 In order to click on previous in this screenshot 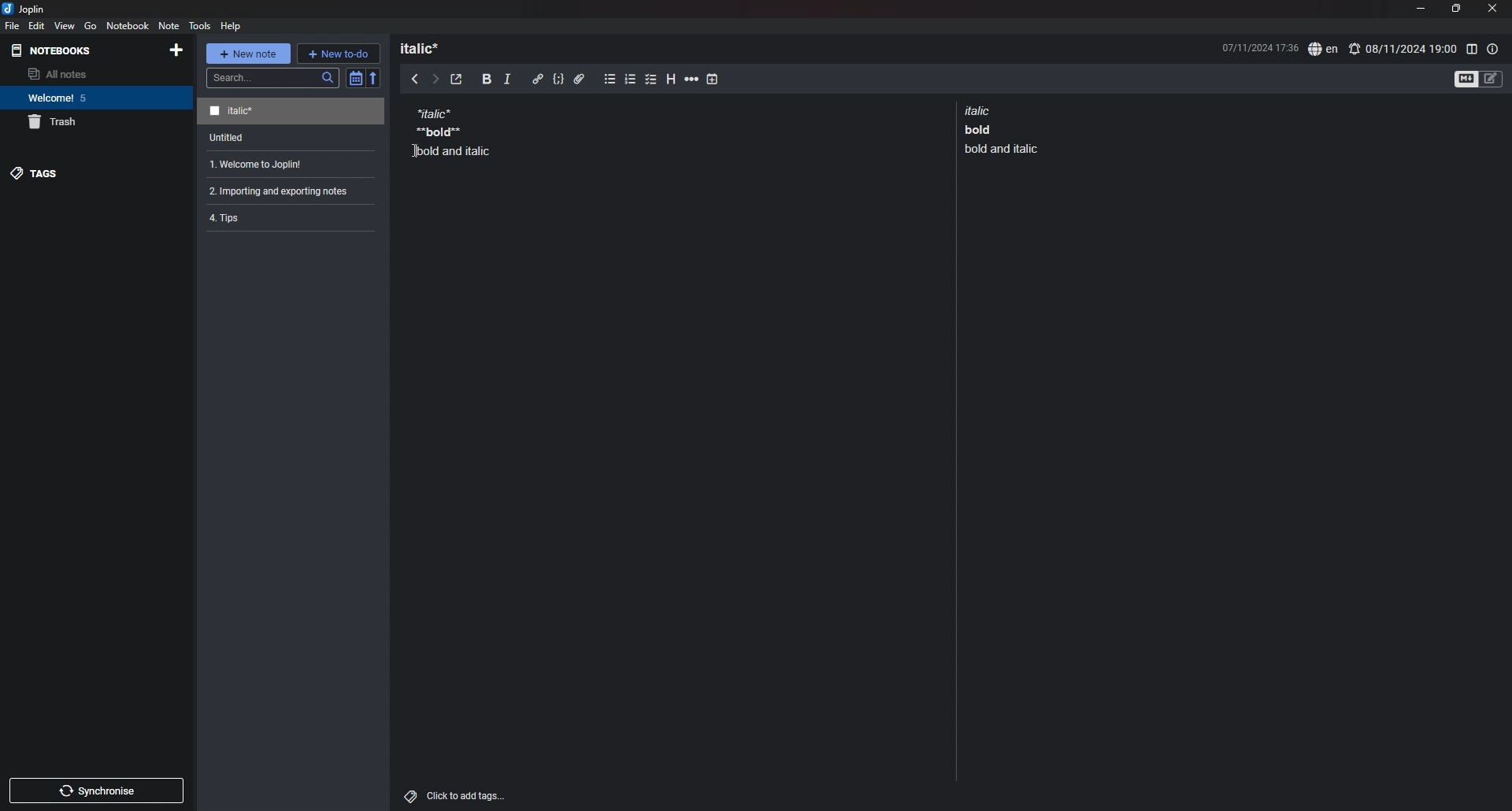, I will do `click(415, 78)`.